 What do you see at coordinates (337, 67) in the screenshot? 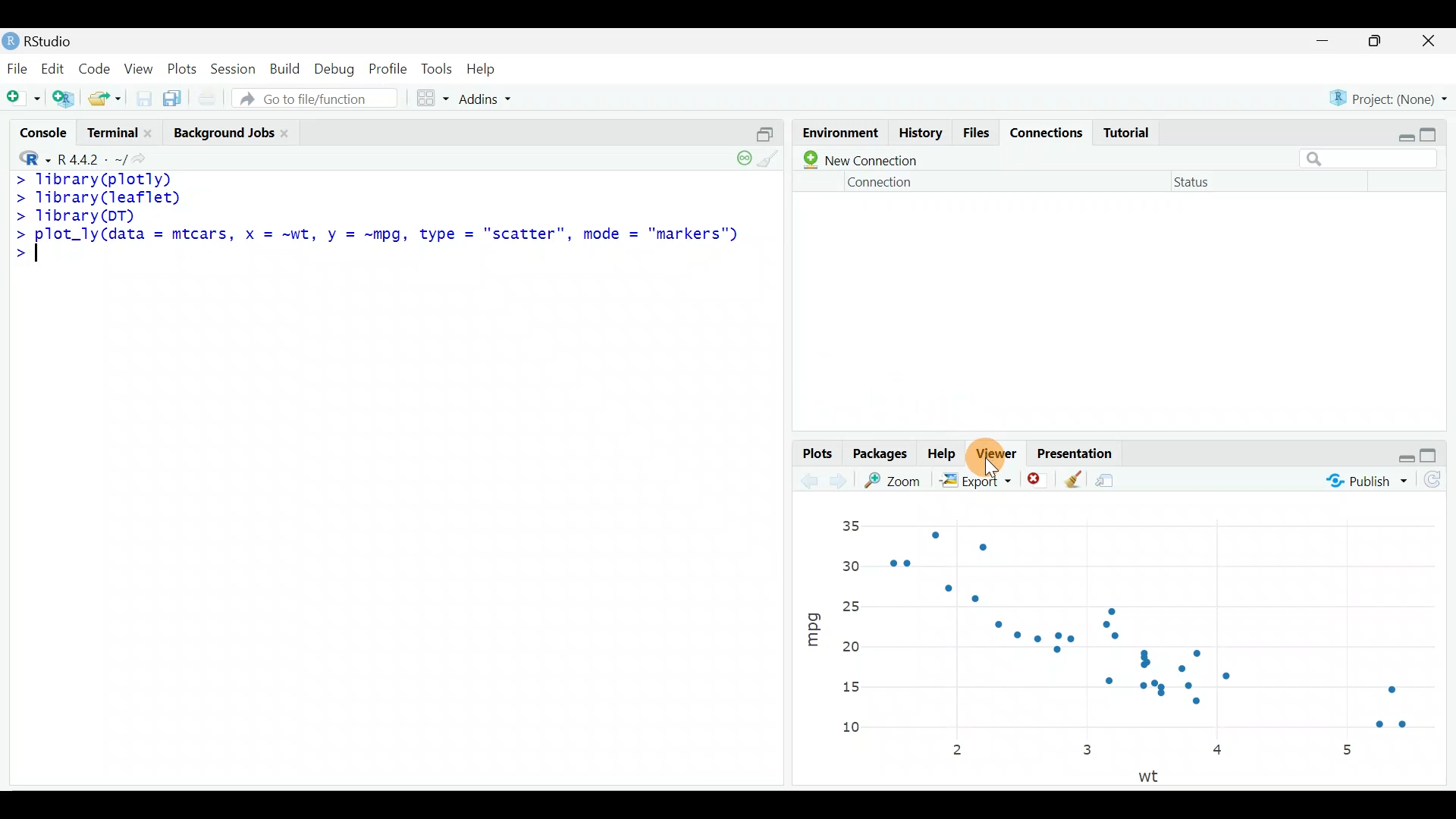
I see `Debug` at bounding box center [337, 67].